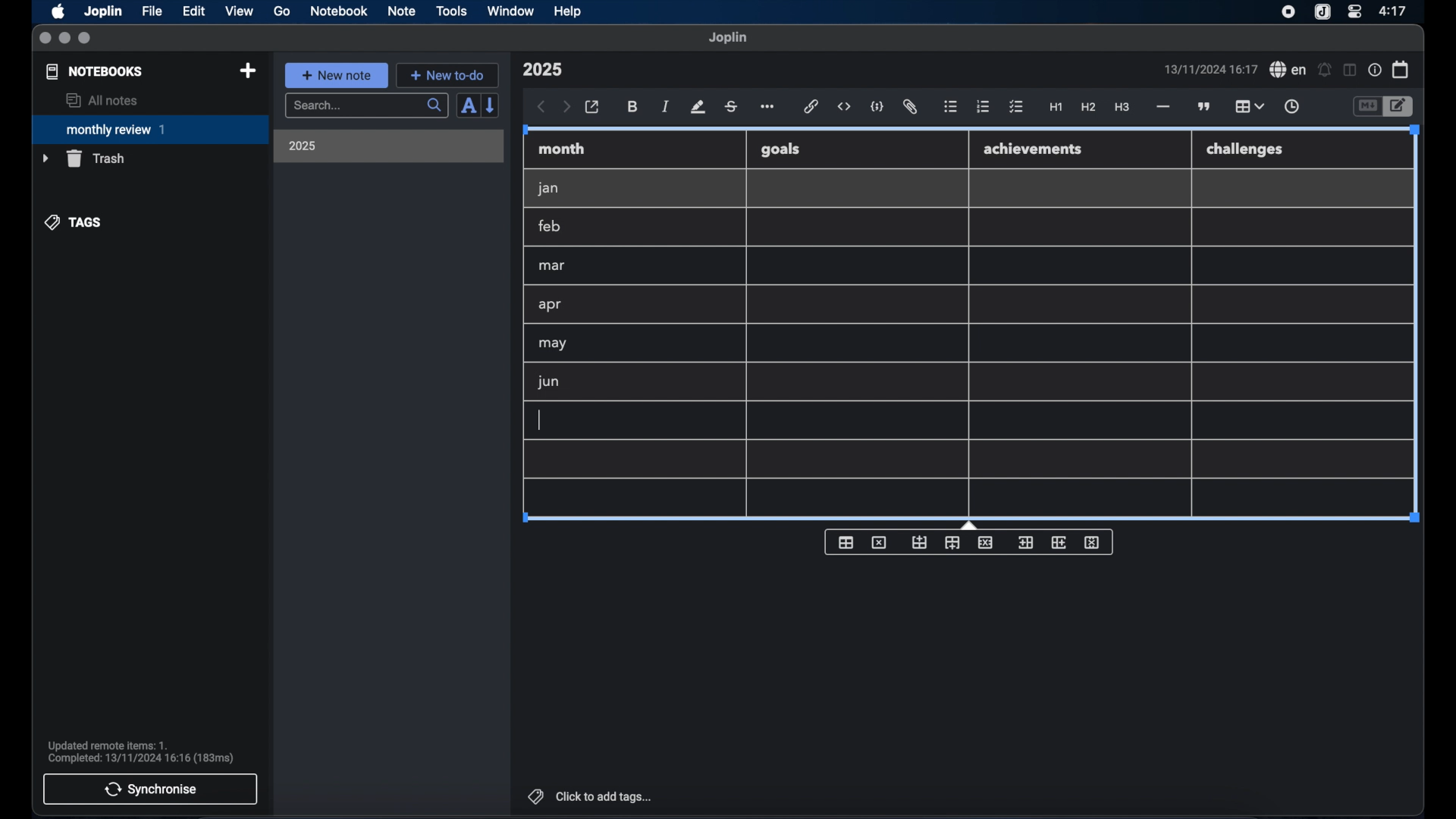 The image size is (1456, 819). I want to click on new notebook, so click(247, 71).